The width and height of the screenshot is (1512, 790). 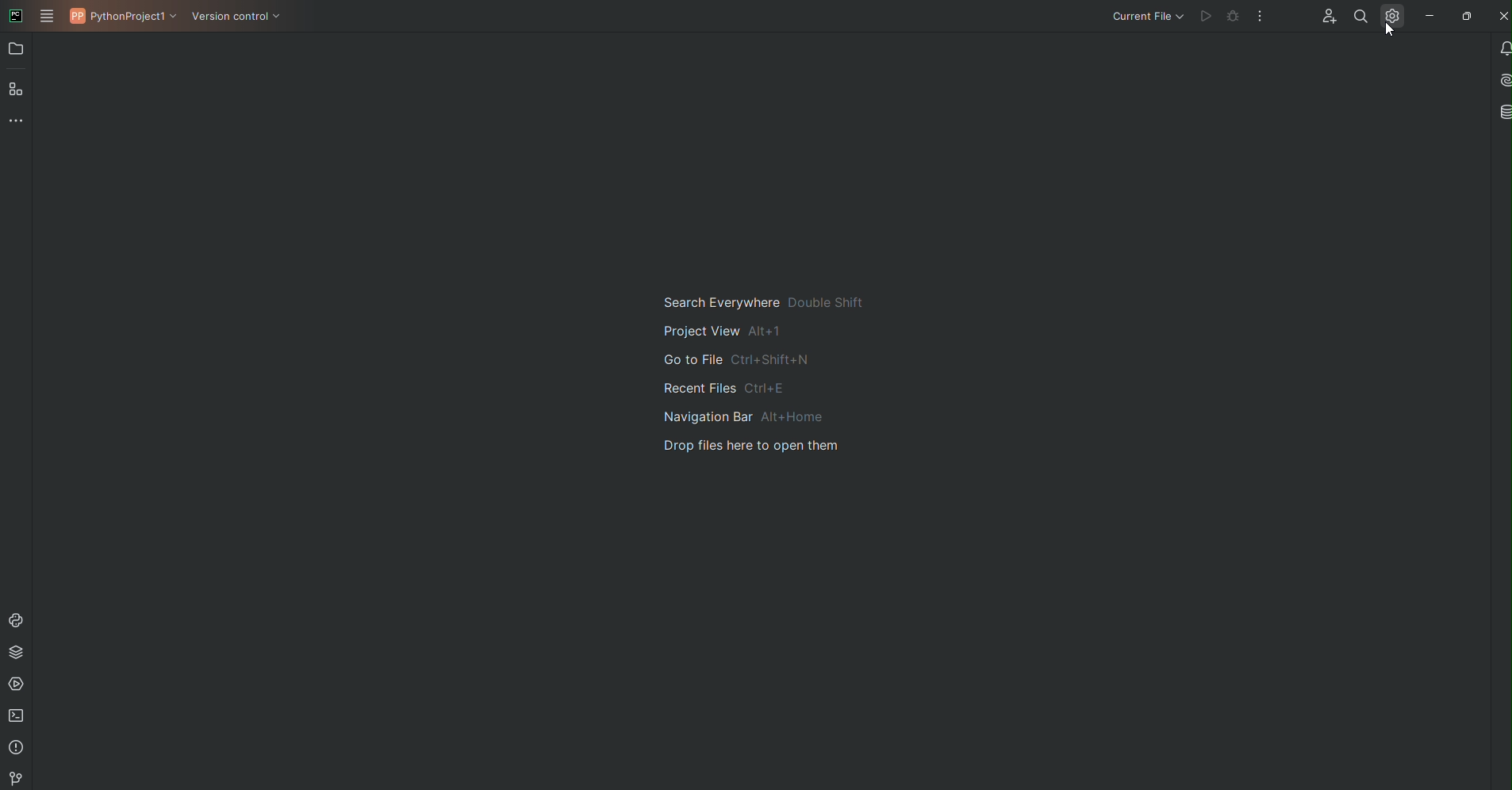 What do you see at coordinates (17, 749) in the screenshot?
I see `Problems` at bounding box center [17, 749].